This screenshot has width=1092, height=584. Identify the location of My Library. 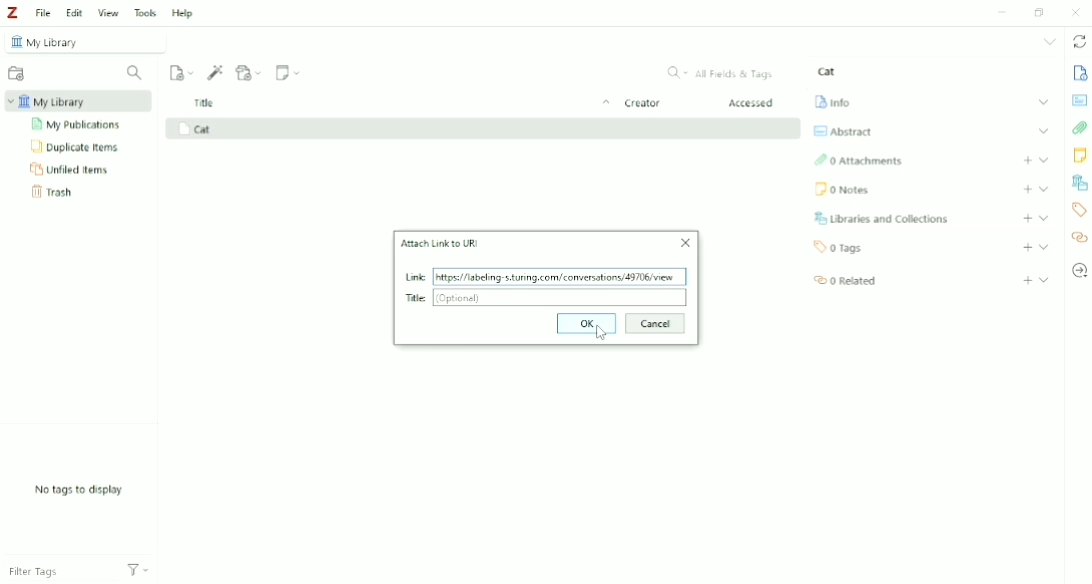
(79, 101).